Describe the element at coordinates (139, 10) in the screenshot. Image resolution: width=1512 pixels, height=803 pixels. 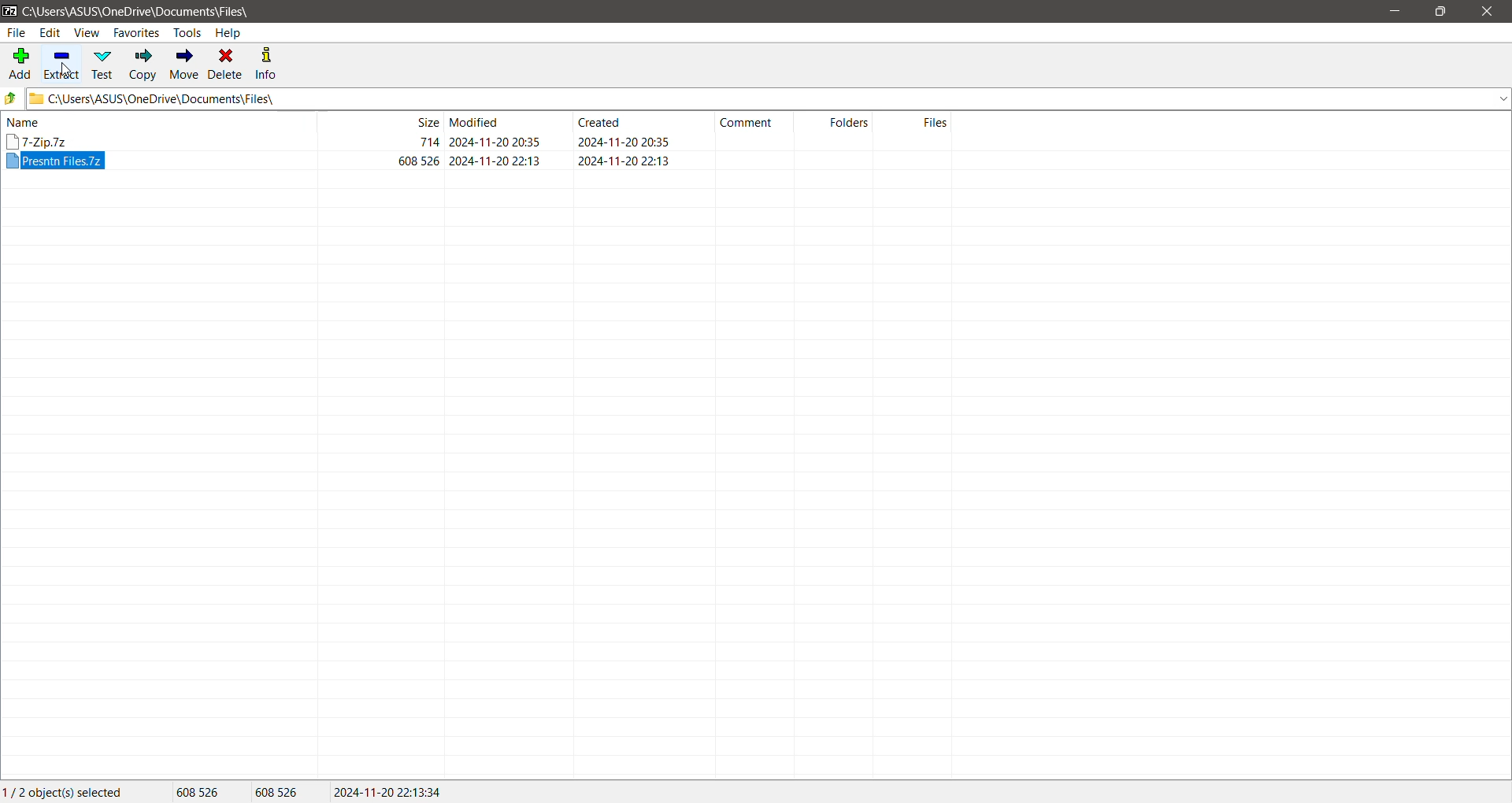
I see `Current Folder Path` at that location.